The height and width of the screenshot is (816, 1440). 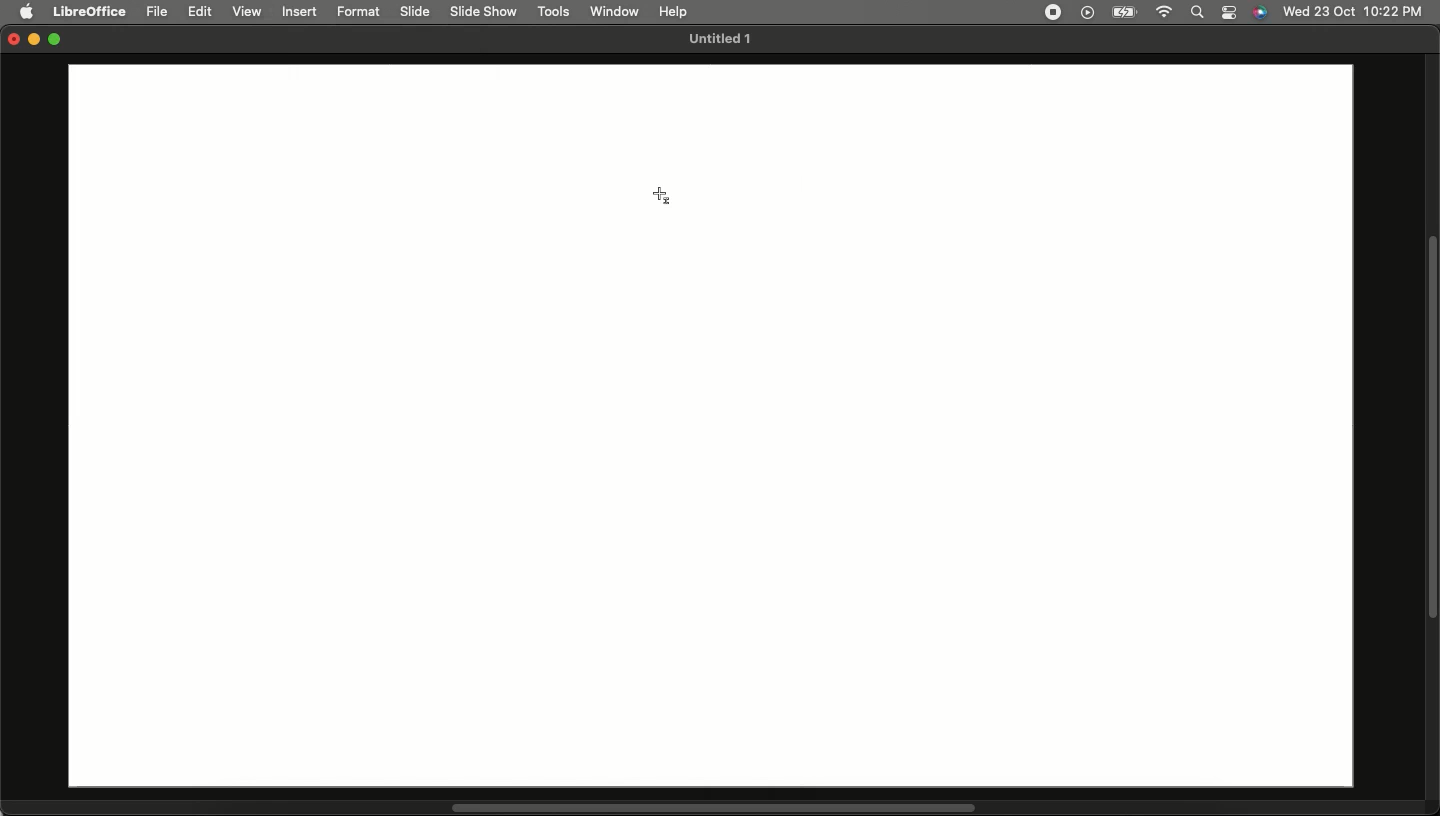 What do you see at coordinates (159, 12) in the screenshot?
I see `File` at bounding box center [159, 12].